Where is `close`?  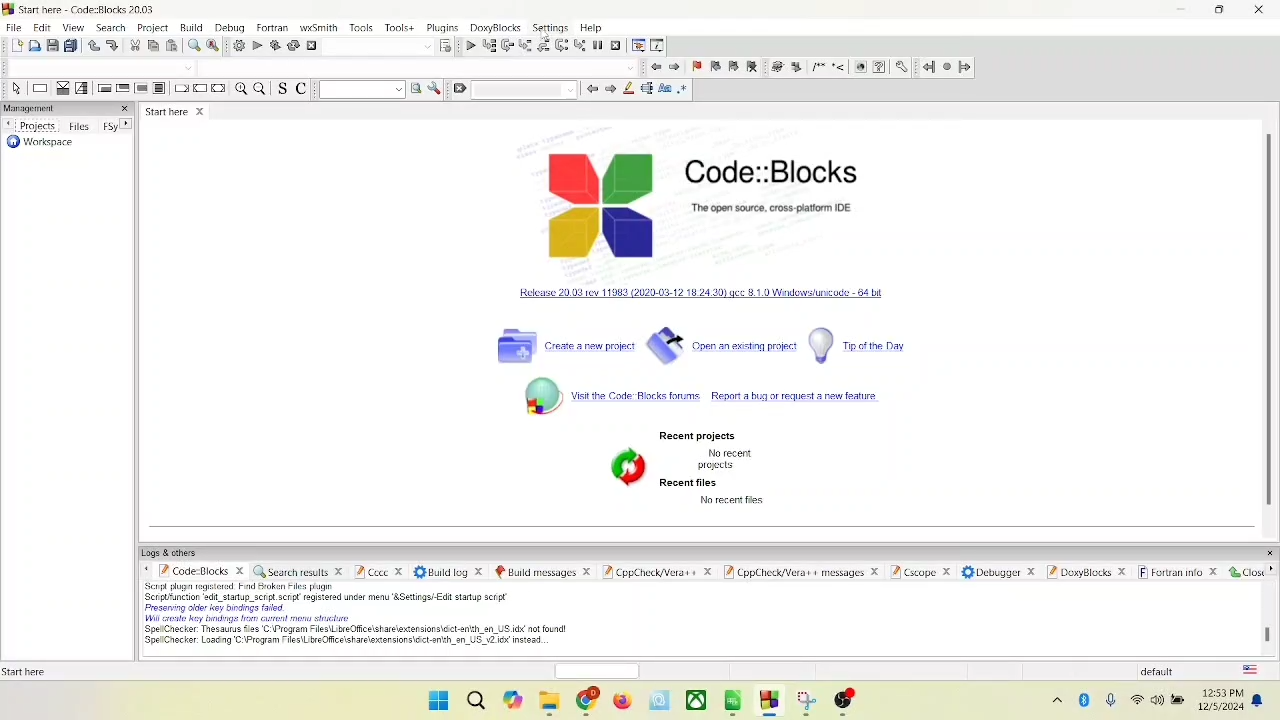
close is located at coordinates (1244, 572).